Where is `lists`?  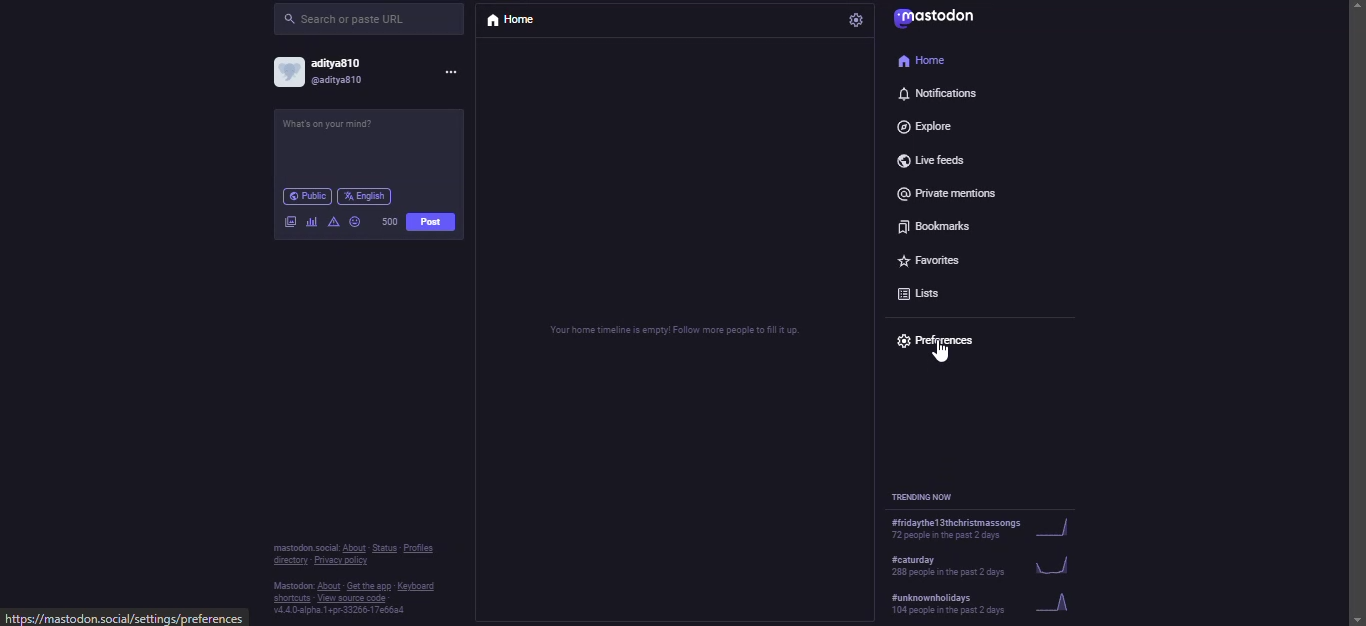
lists is located at coordinates (921, 295).